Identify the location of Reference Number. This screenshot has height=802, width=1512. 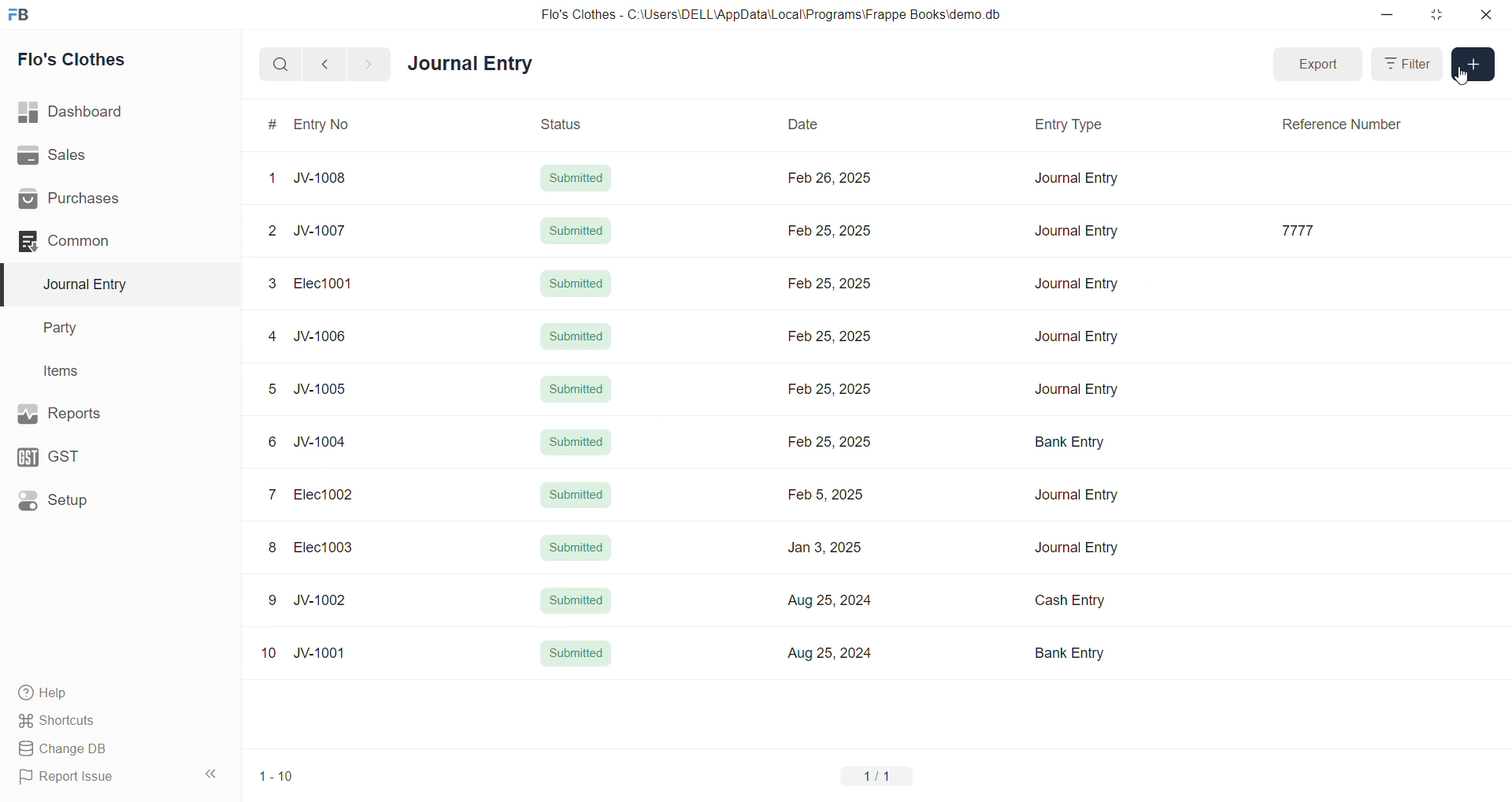
(1340, 127).